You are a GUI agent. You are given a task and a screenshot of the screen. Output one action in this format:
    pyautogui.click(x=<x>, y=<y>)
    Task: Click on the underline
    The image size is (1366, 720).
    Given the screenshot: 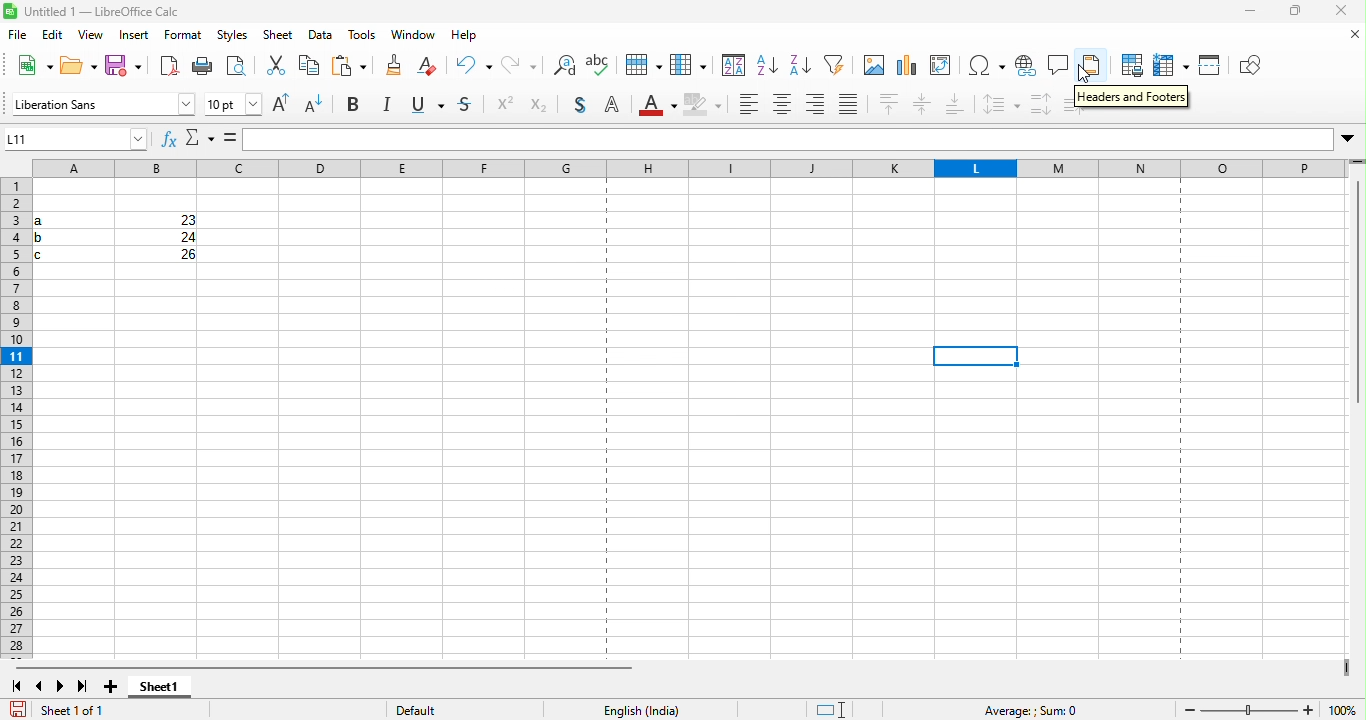 What is the action you would take?
    pyautogui.click(x=431, y=105)
    